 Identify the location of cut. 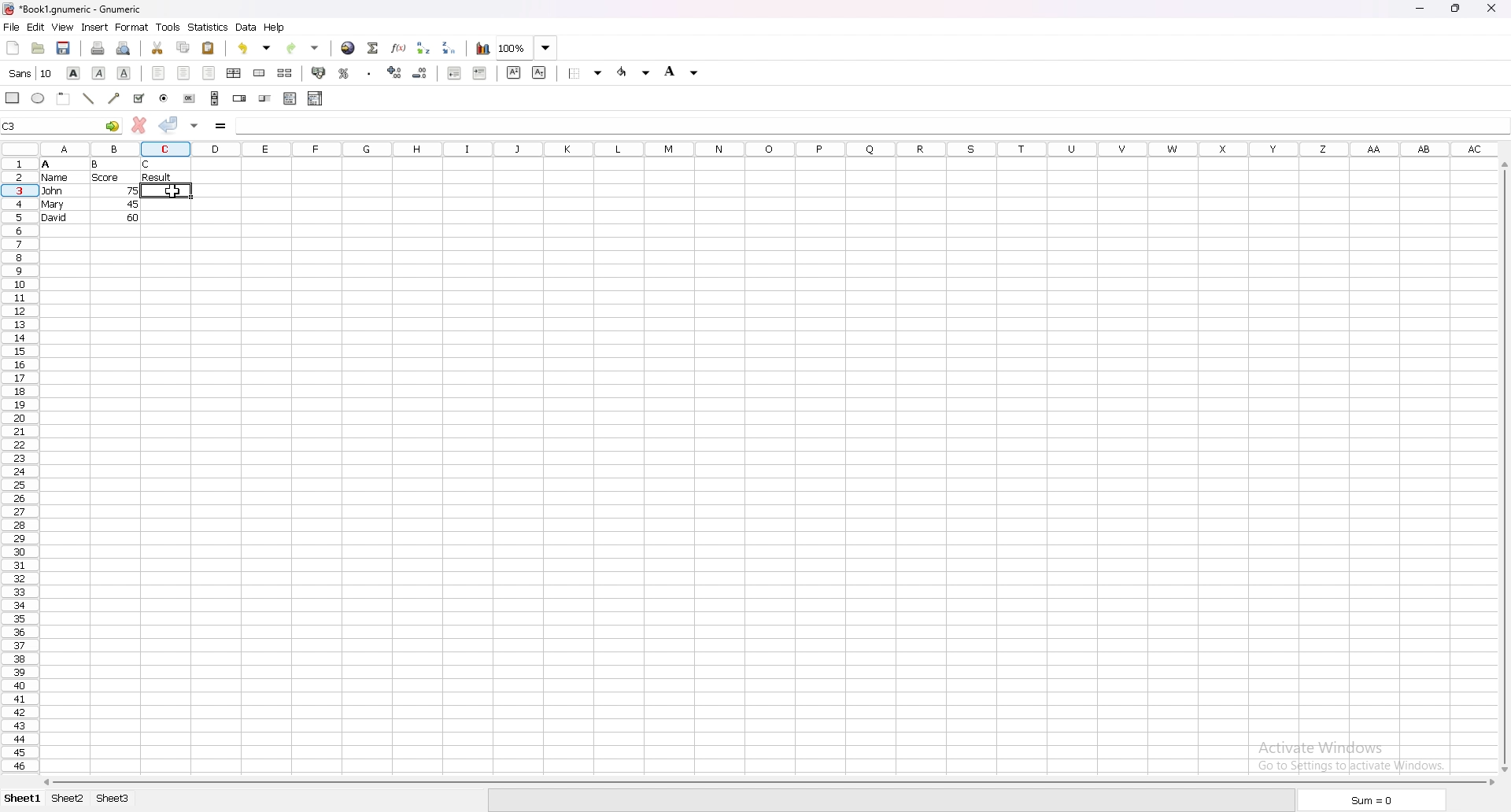
(157, 48).